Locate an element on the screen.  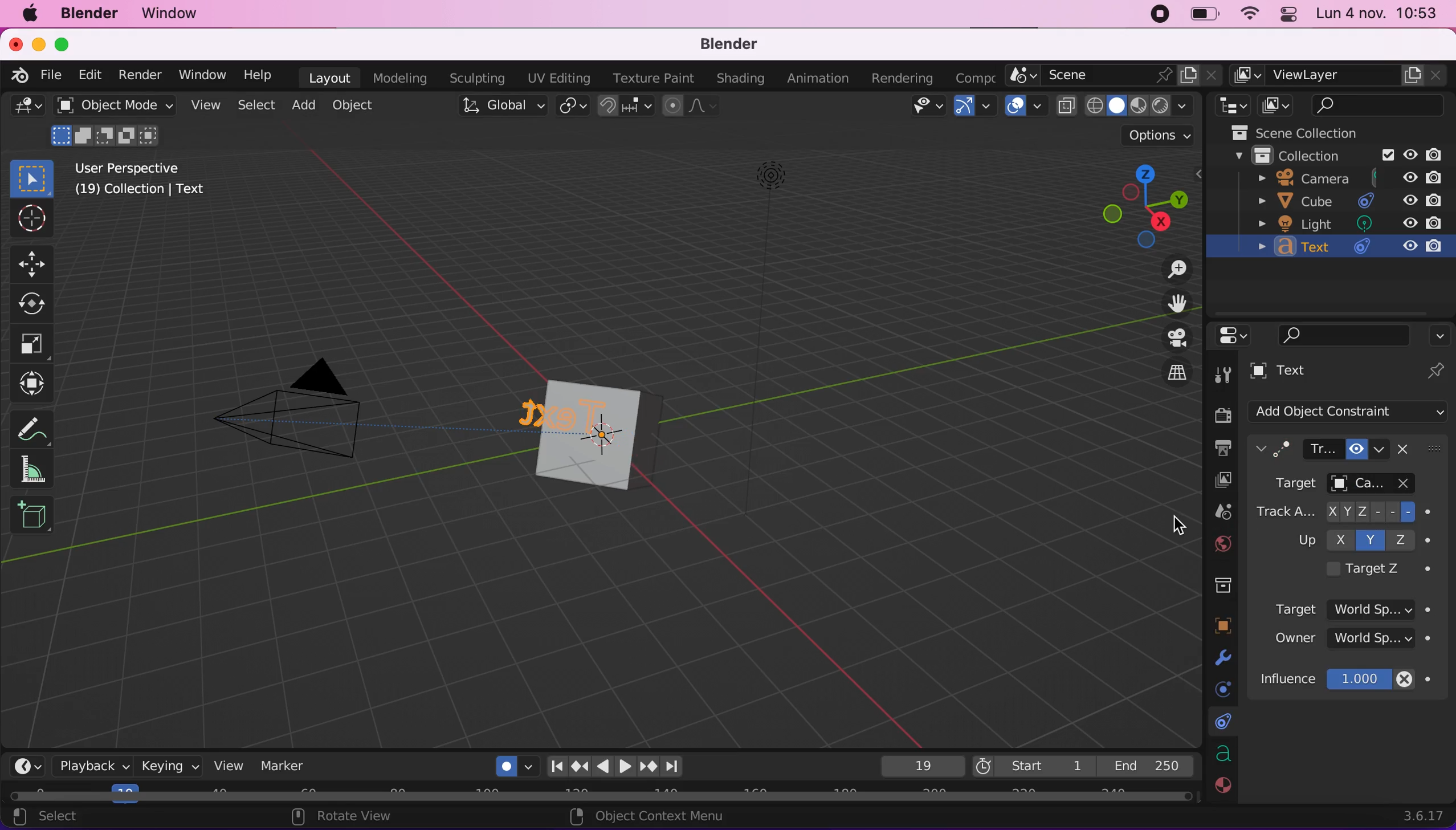
shading is located at coordinates (740, 79).